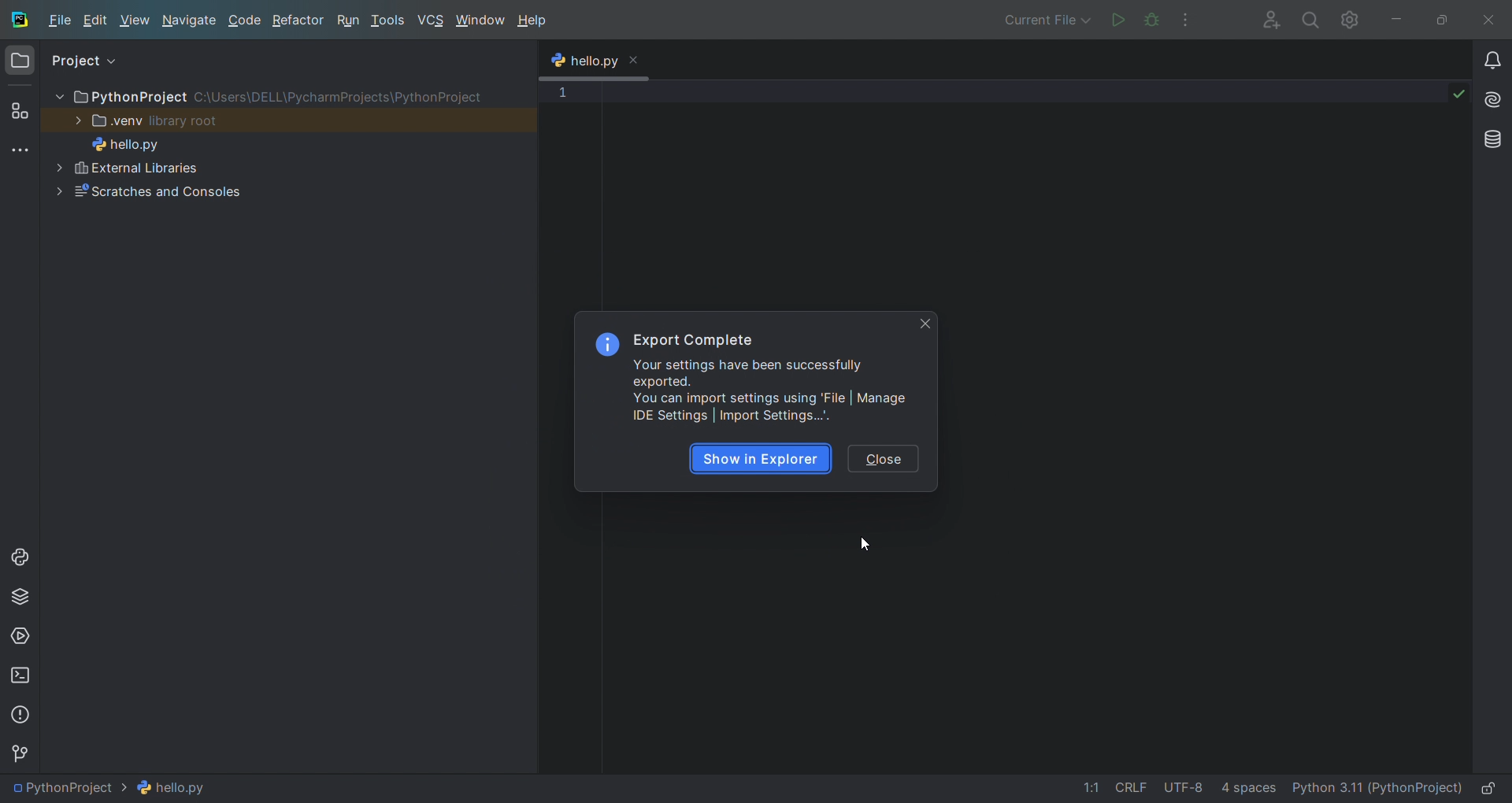 The image size is (1512, 803). Describe the element at coordinates (532, 22) in the screenshot. I see `help` at that location.